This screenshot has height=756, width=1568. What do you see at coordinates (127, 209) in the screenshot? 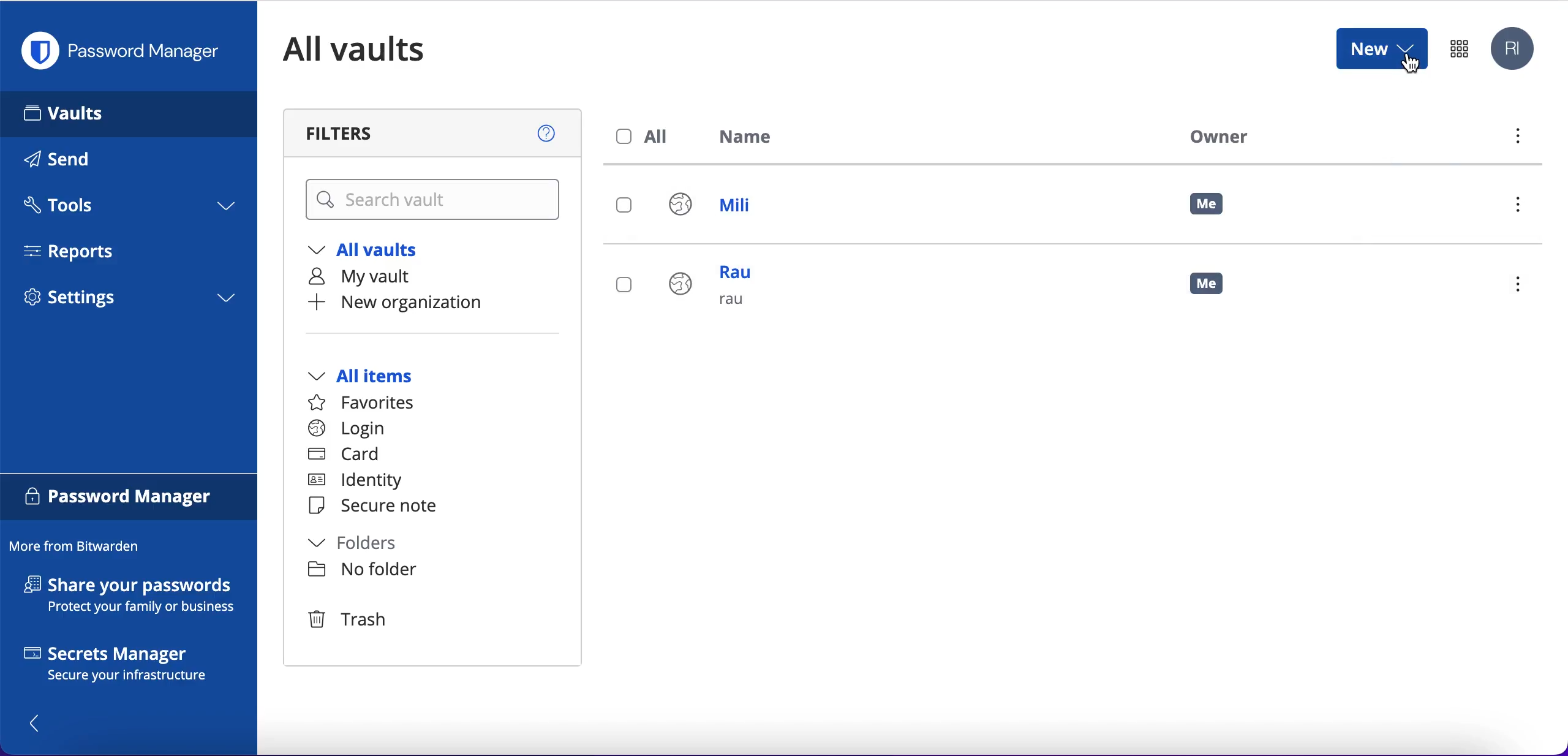
I see `tools` at bounding box center [127, 209].